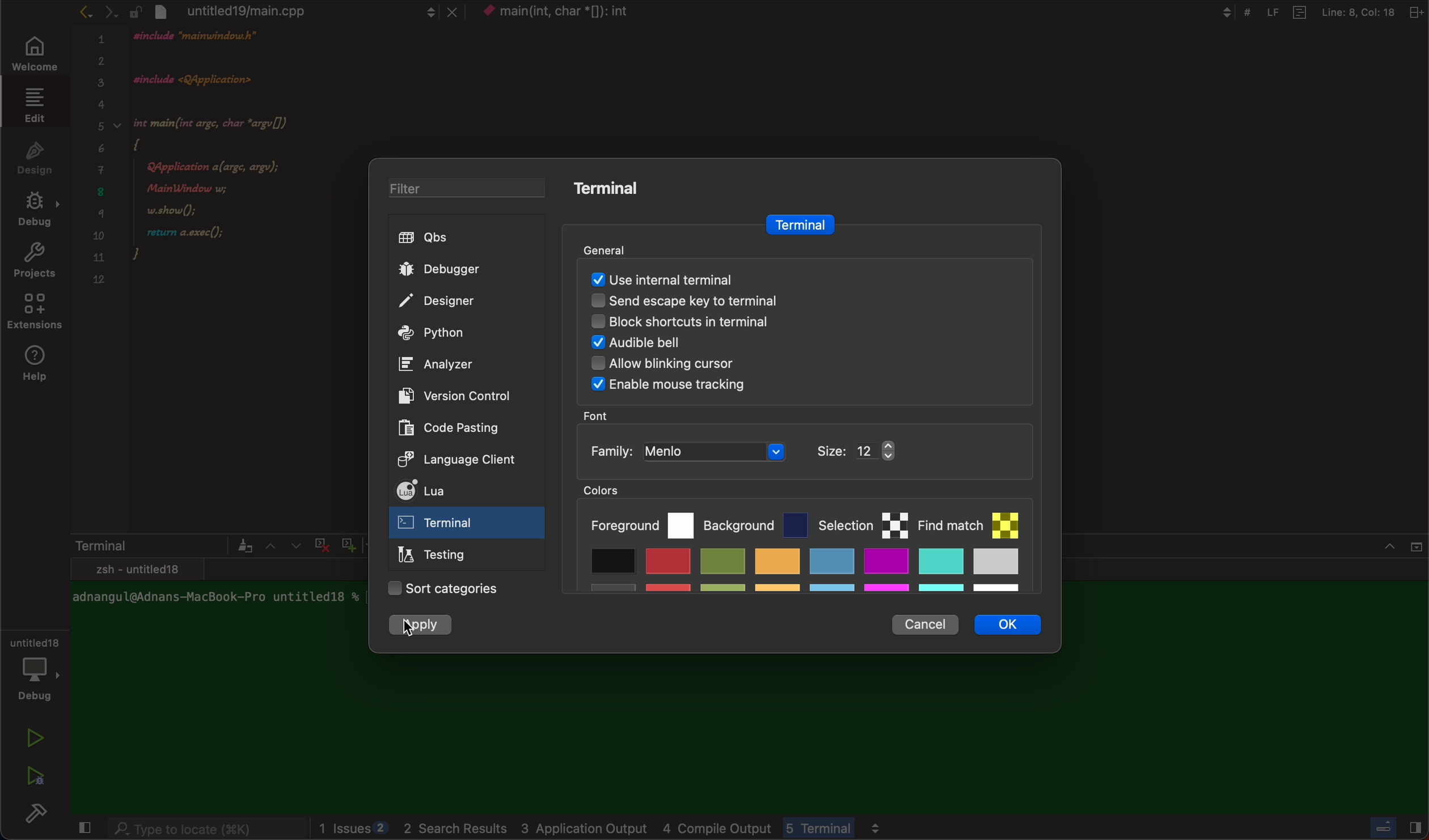 The image size is (1429, 840). What do you see at coordinates (755, 367) in the screenshot?
I see `allow blinking` at bounding box center [755, 367].